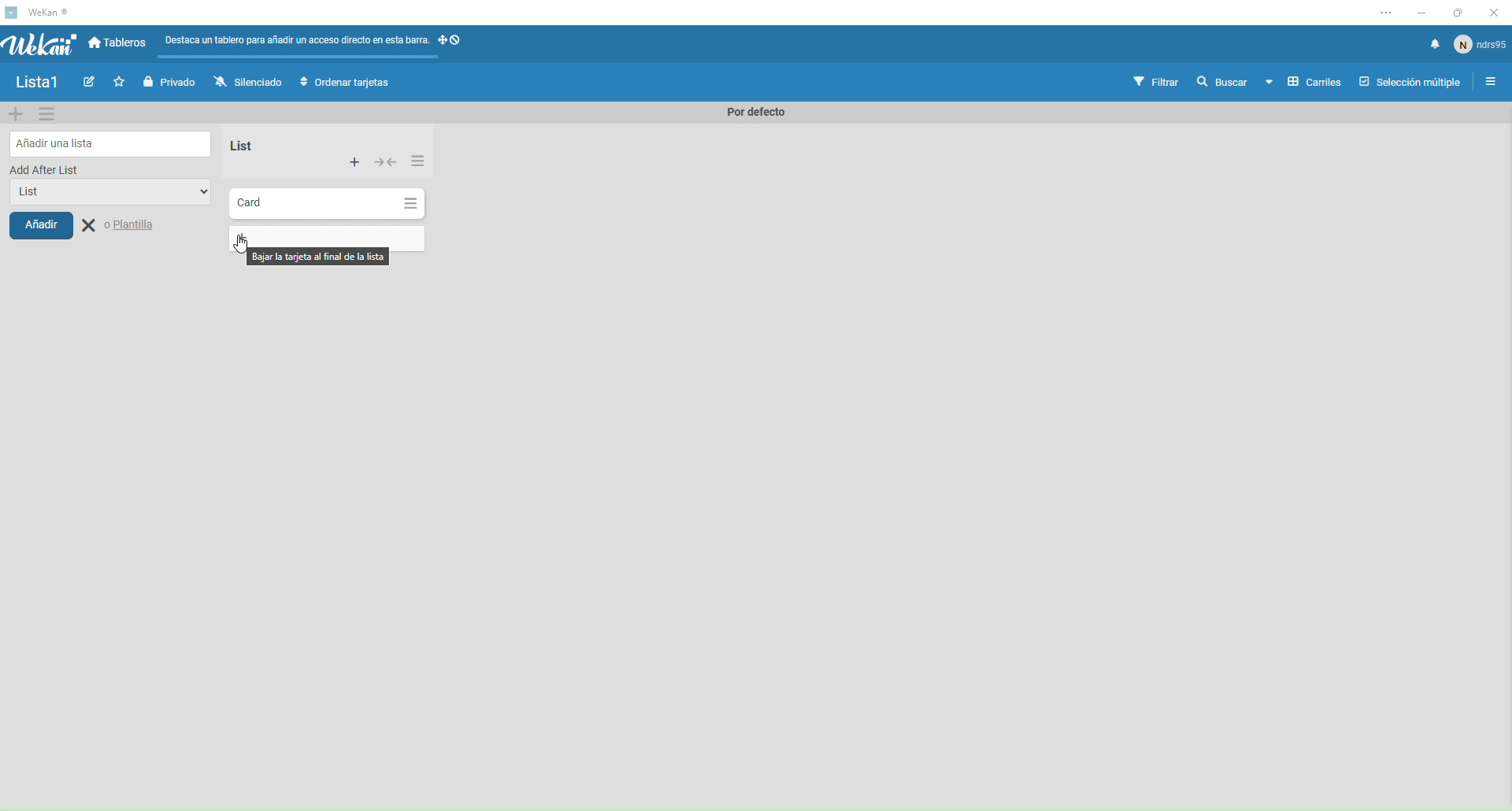 The image size is (1512, 811). I want to click on Files, so click(298, 43).